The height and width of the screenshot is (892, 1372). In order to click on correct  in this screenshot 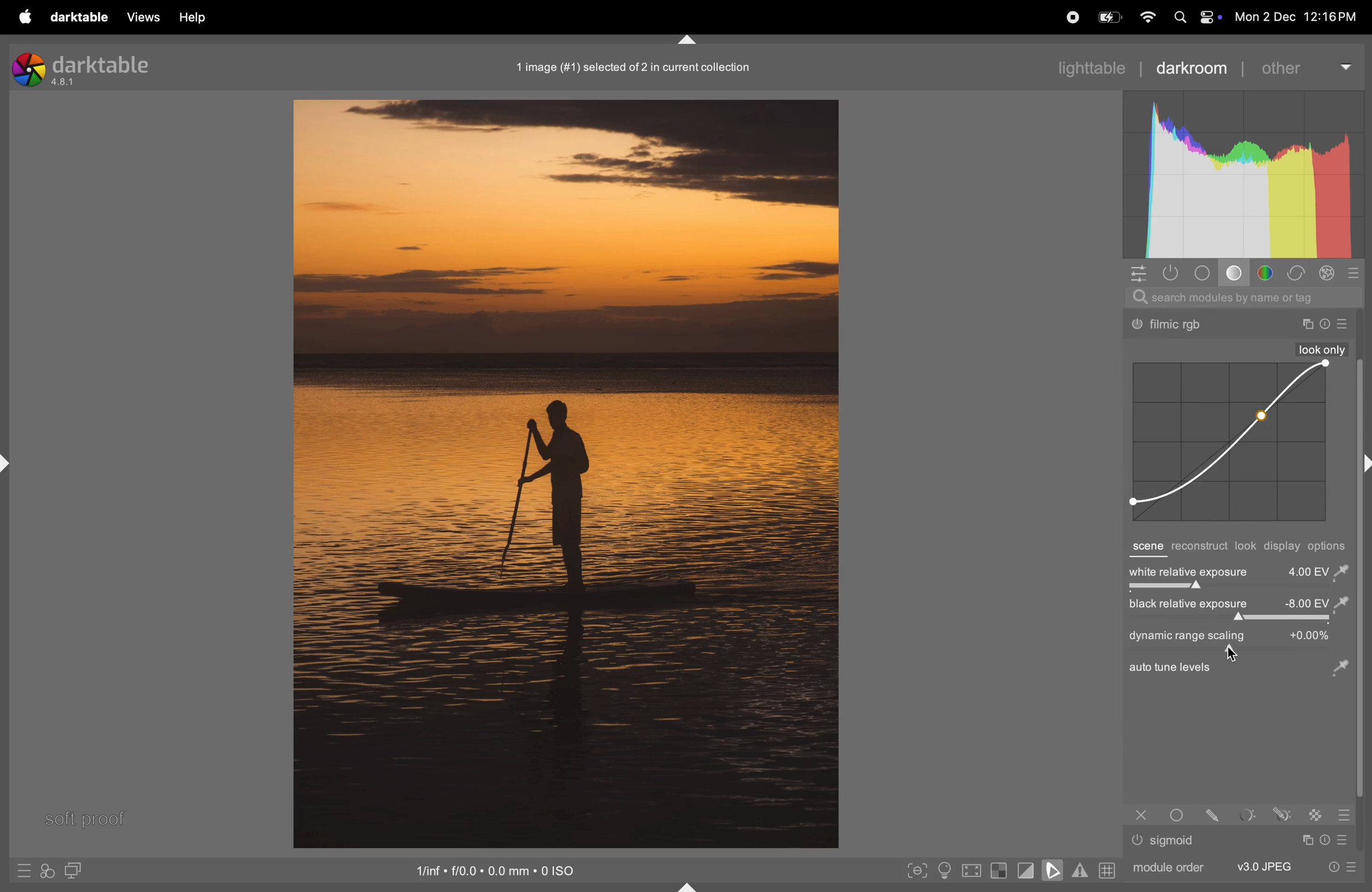, I will do `click(1296, 274)`.